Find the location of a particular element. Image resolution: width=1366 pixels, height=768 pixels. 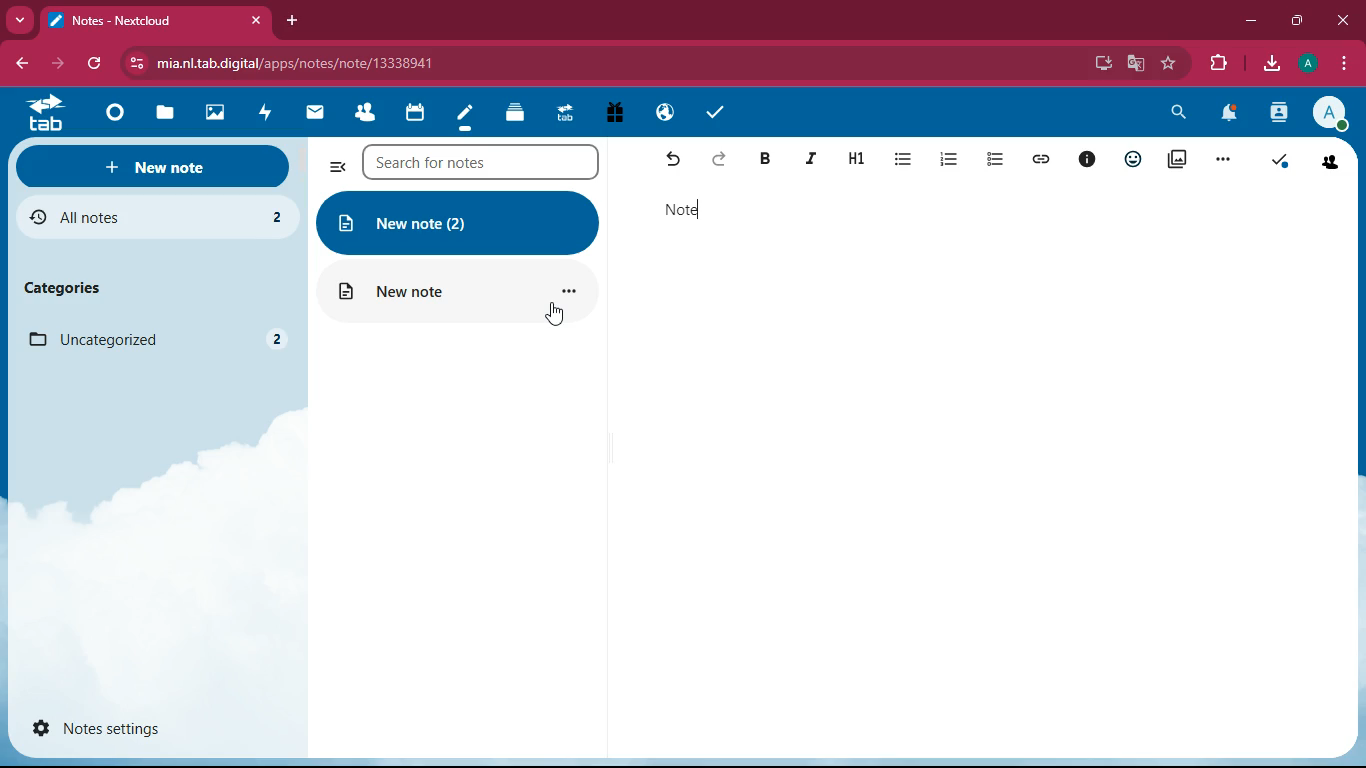

user is located at coordinates (1278, 114).